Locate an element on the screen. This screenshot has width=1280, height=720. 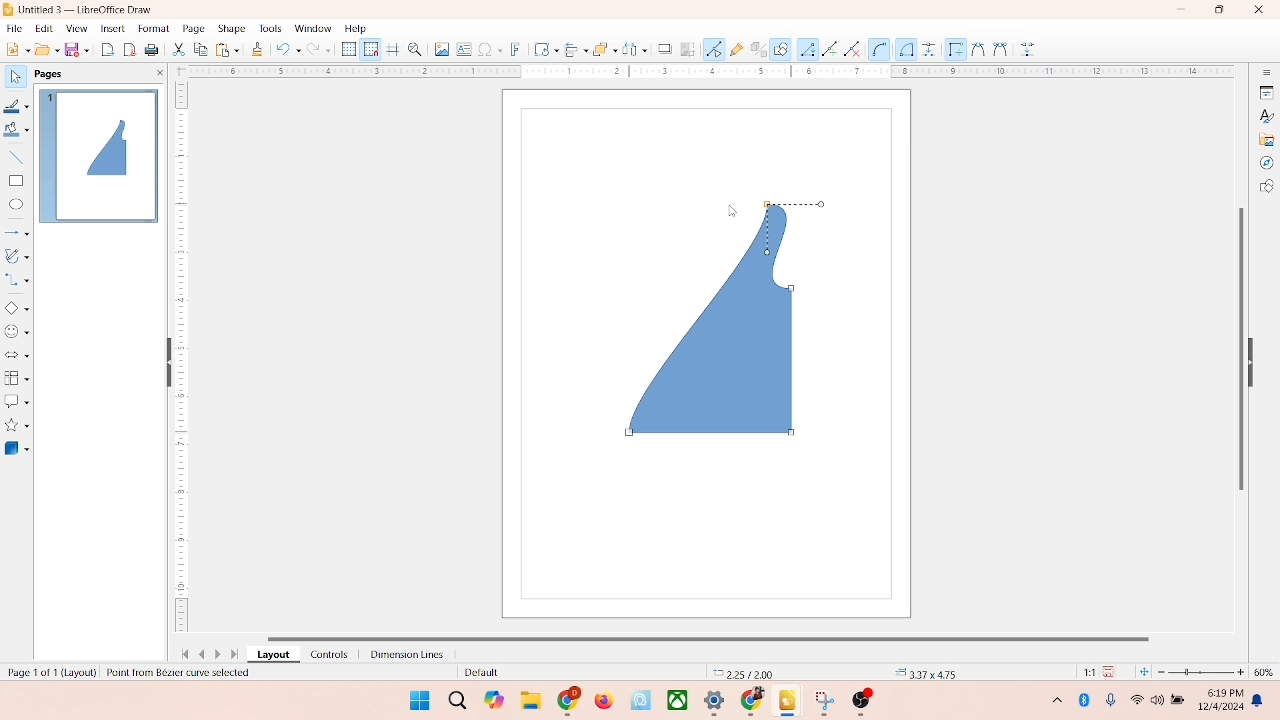
wifi is located at coordinates (1136, 696).